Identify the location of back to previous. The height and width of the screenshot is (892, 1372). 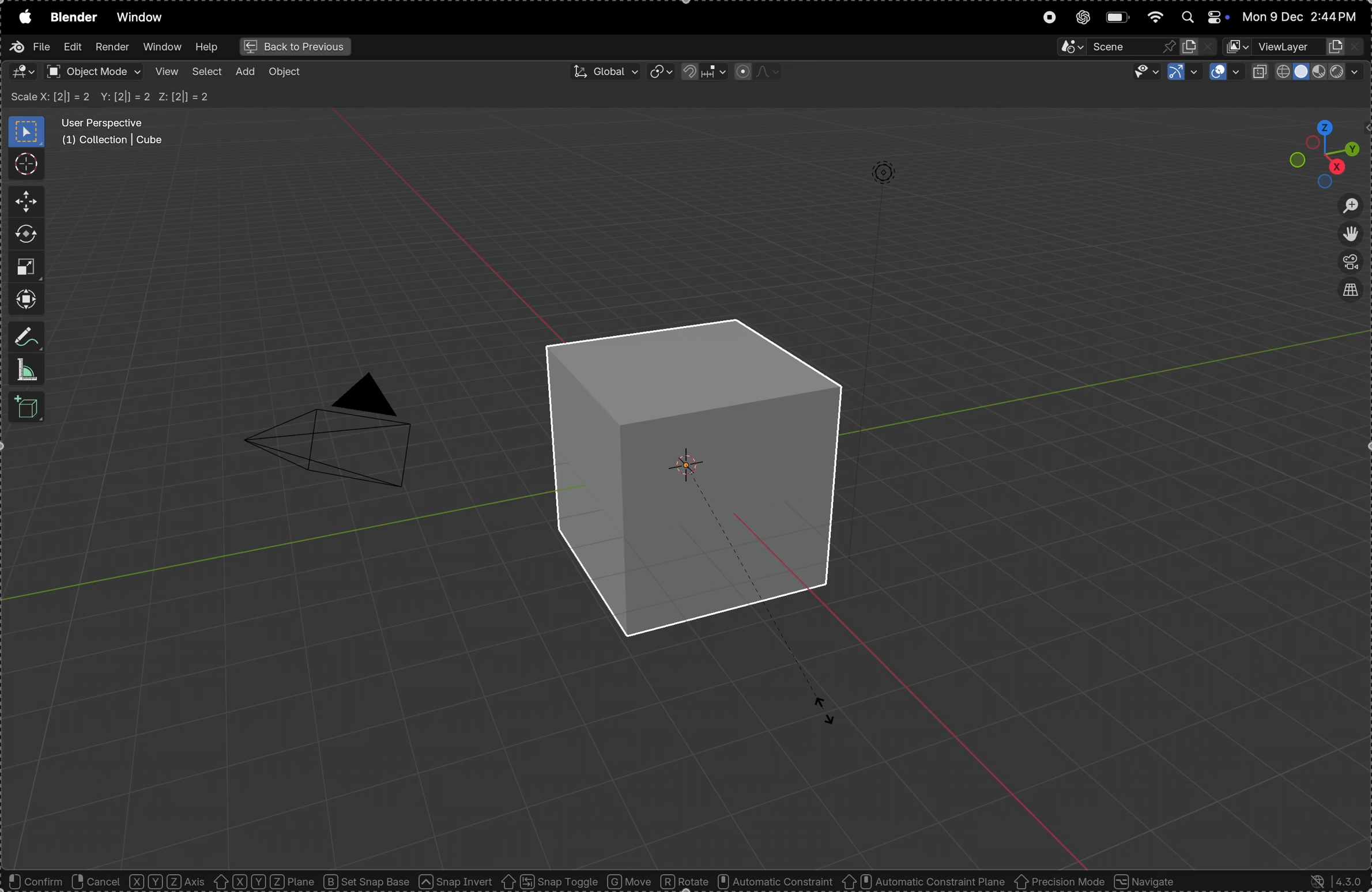
(293, 47).